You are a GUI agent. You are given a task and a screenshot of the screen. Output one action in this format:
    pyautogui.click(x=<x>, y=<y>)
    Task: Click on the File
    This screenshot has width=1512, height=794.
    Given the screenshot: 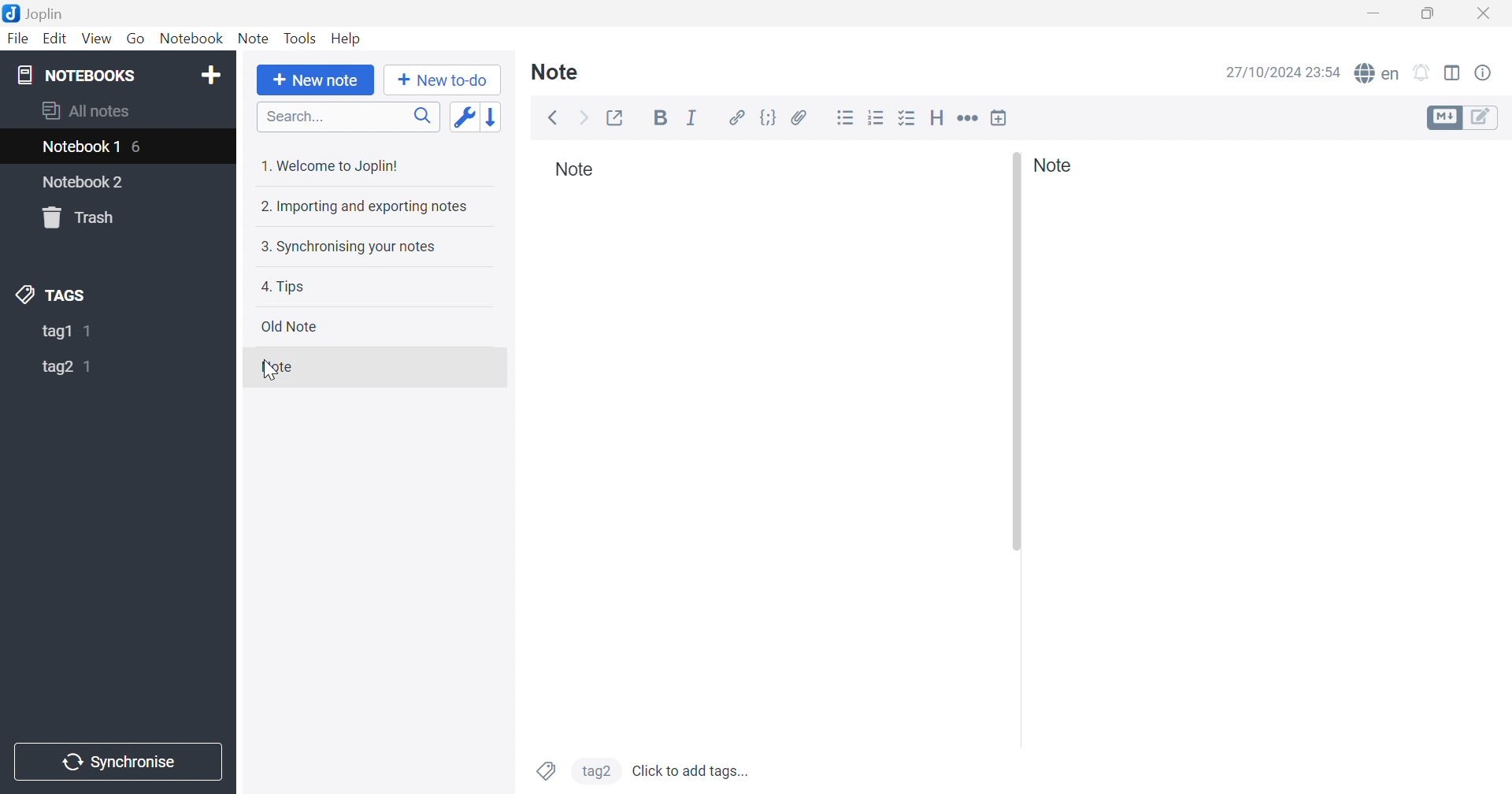 What is the action you would take?
    pyautogui.click(x=16, y=39)
    